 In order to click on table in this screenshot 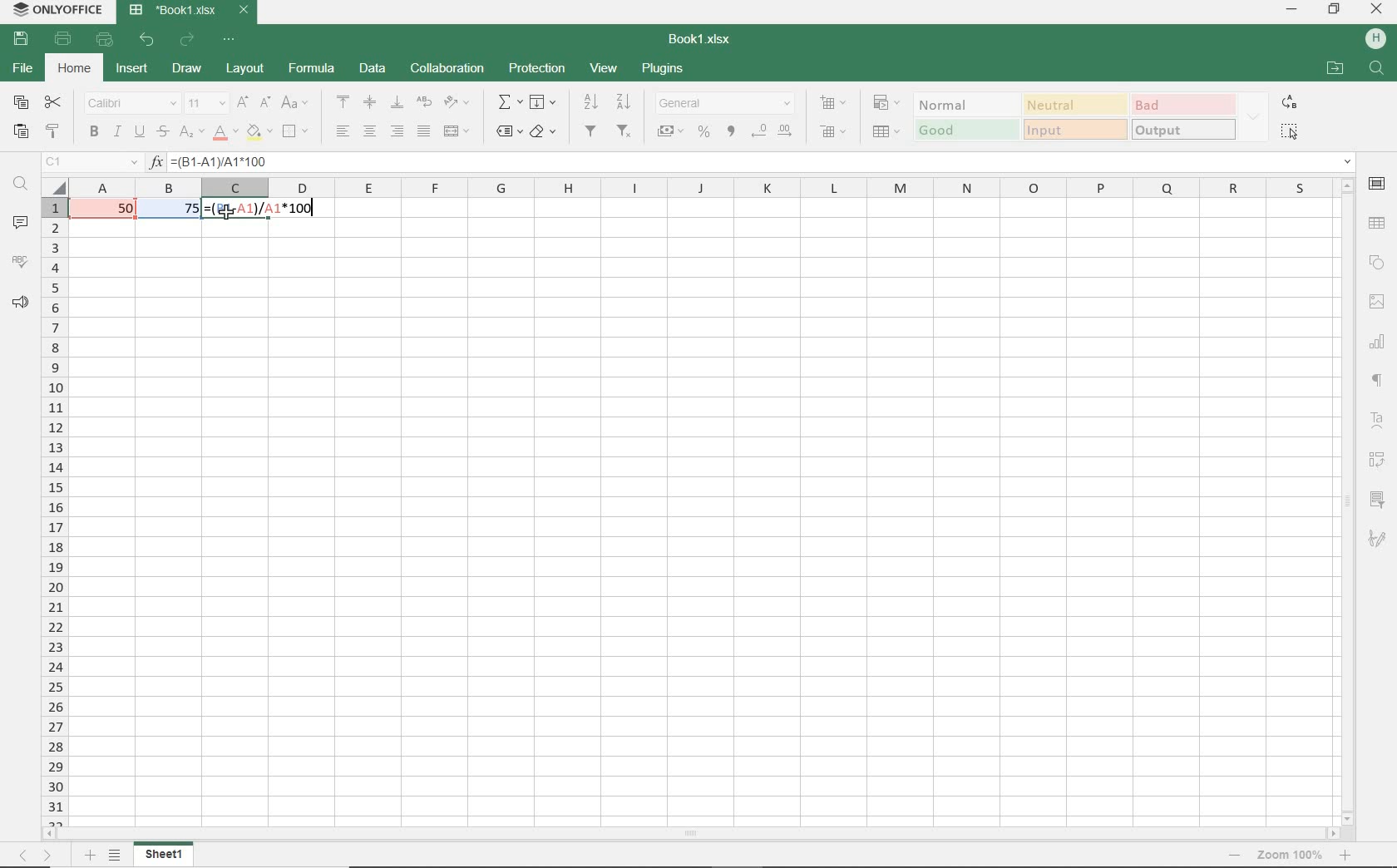, I will do `click(1378, 224)`.